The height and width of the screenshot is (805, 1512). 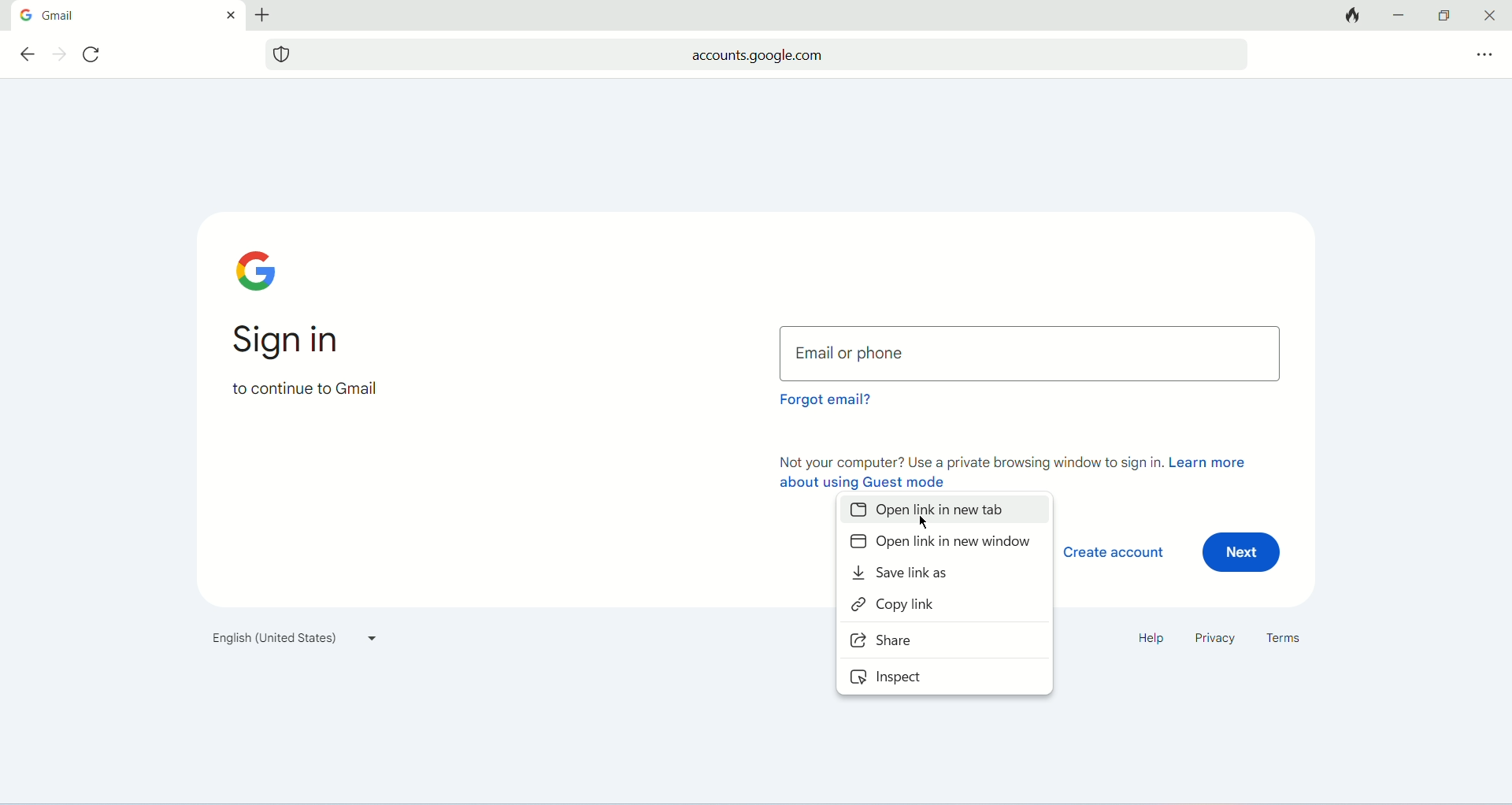 I want to click on forgot email?, so click(x=824, y=404).